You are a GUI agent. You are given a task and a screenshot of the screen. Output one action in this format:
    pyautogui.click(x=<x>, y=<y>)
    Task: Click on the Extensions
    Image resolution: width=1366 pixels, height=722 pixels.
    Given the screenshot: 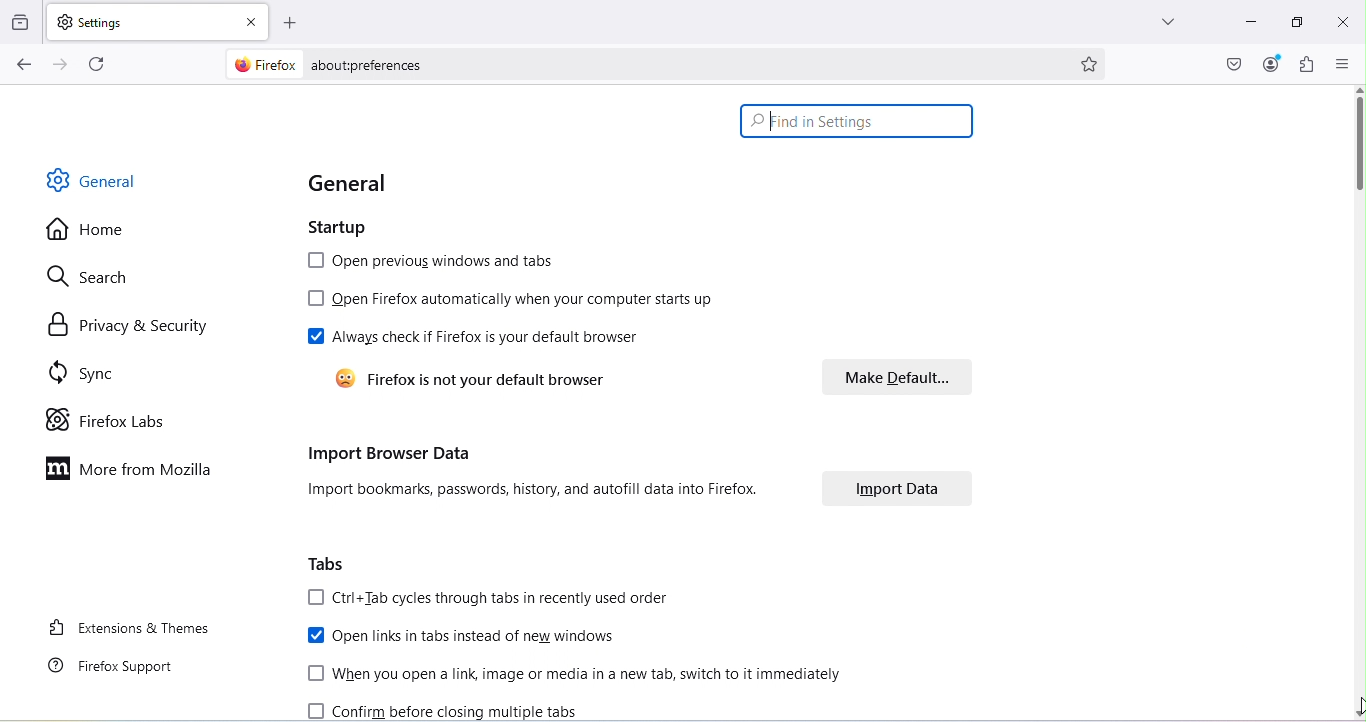 What is the action you would take?
    pyautogui.click(x=1303, y=66)
    